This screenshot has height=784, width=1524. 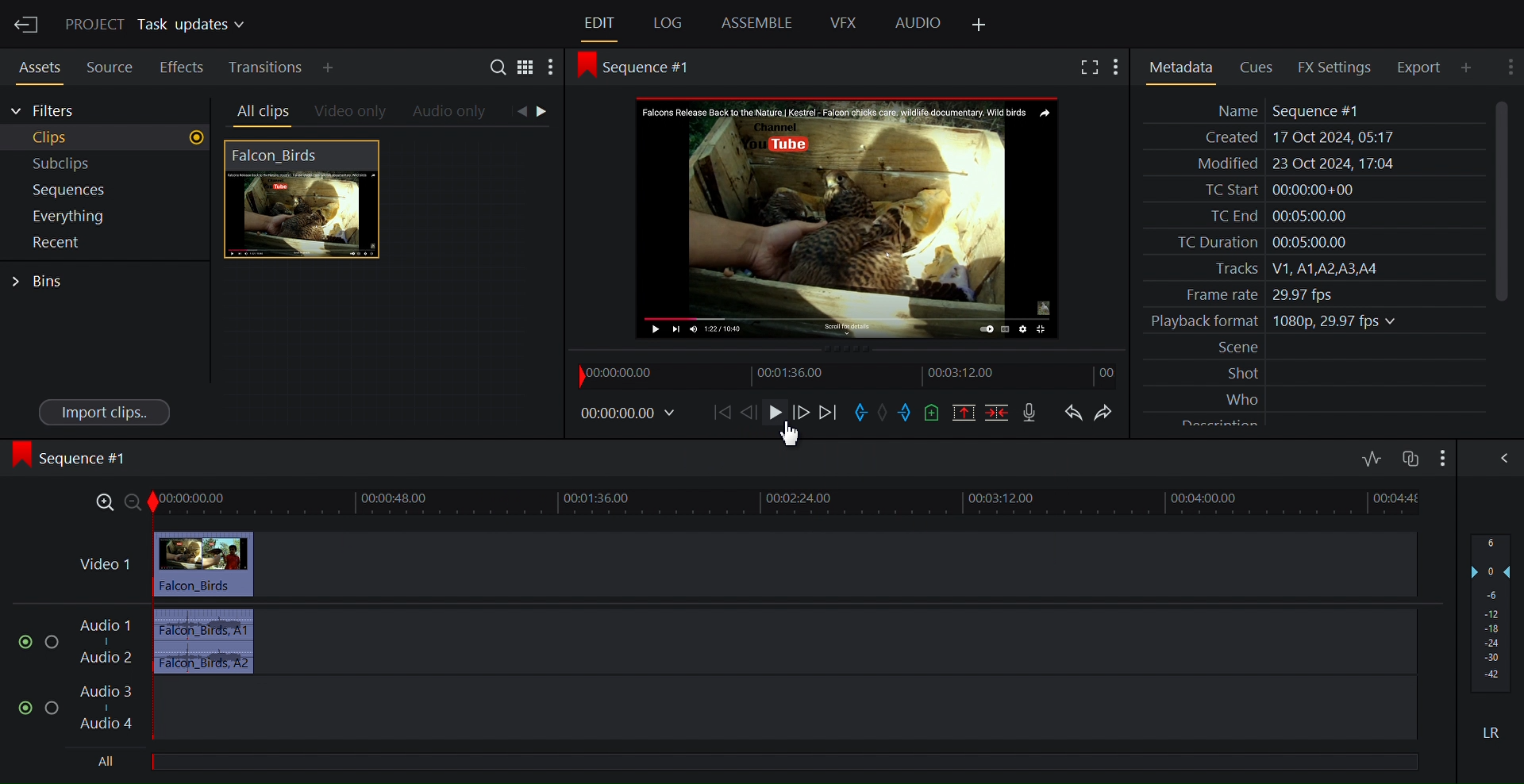 I want to click on Export, so click(x=1425, y=67).